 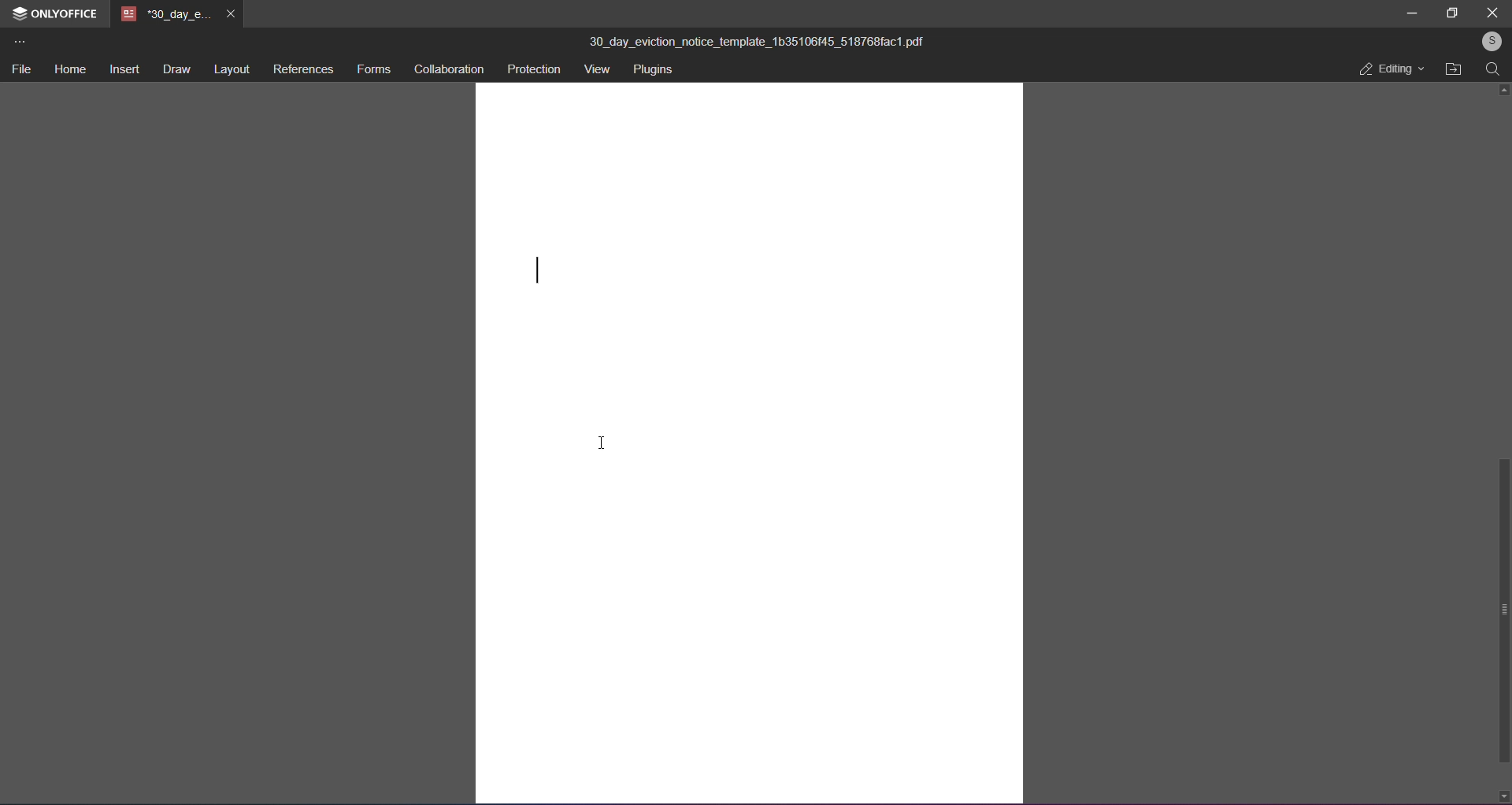 What do you see at coordinates (1502, 611) in the screenshot?
I see `scroll bar` at bounding box center [1502, 611].